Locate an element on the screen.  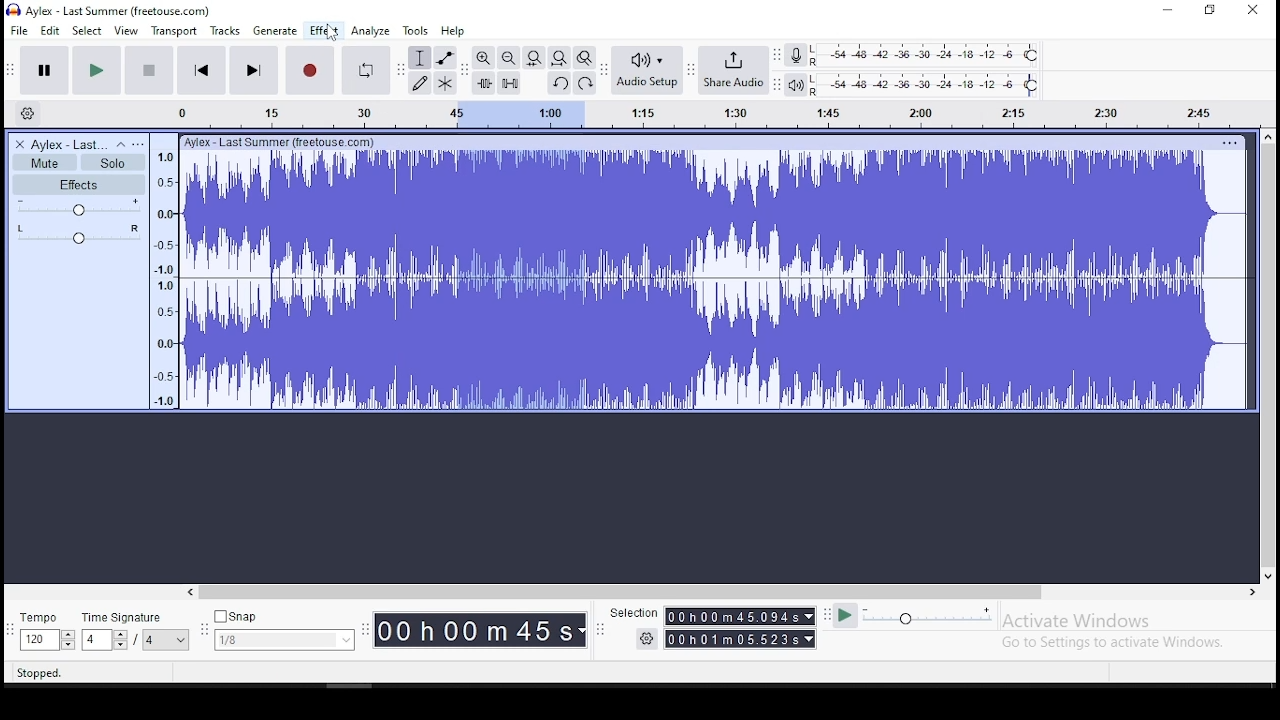
skip to start is located at coordinates (201, 71).